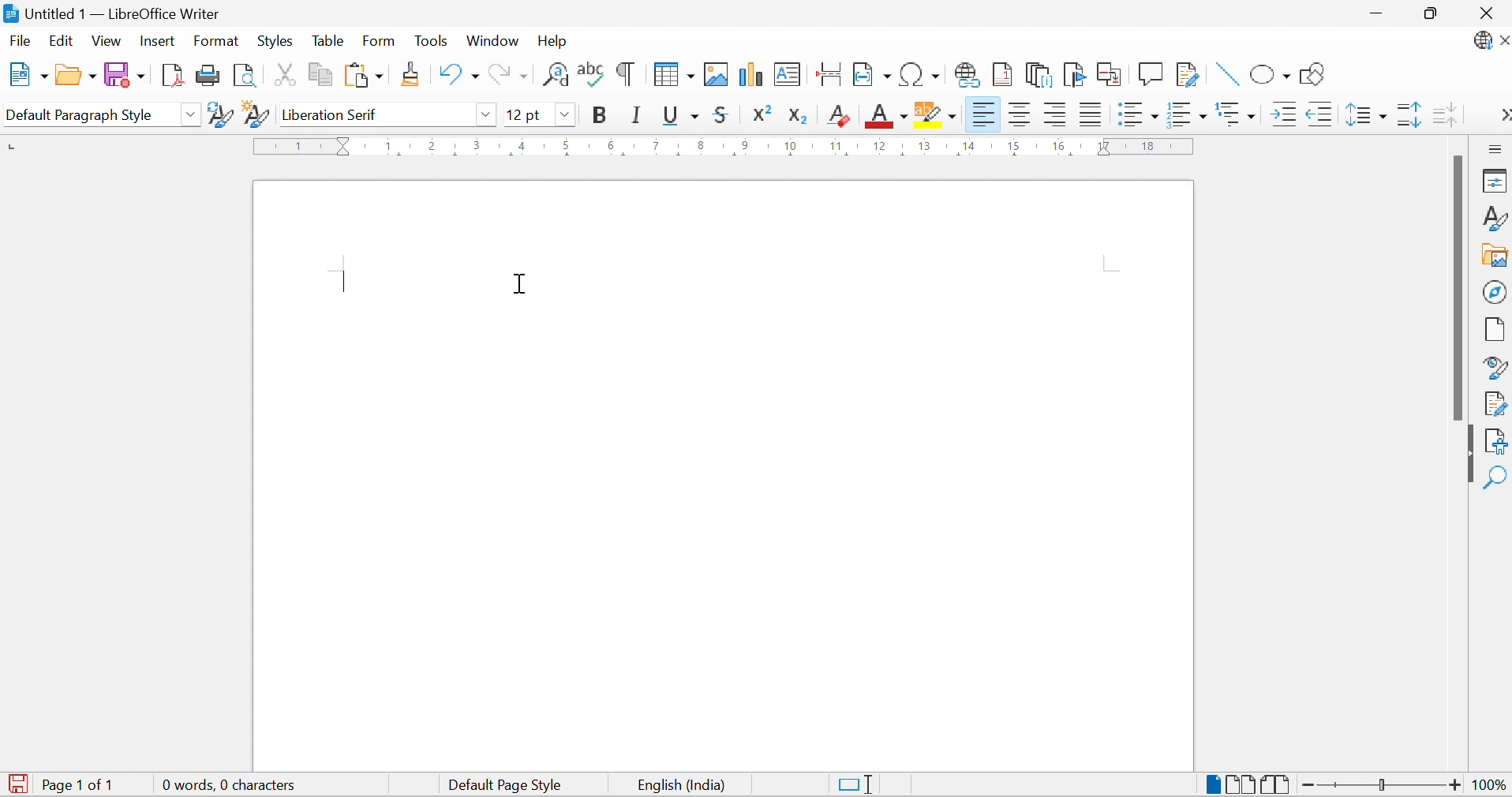 The image size is (1512, 797). What do you see at coordinates (1497, 475) in the screenshot?
I see `Find` at bounding box center [1497, 475].